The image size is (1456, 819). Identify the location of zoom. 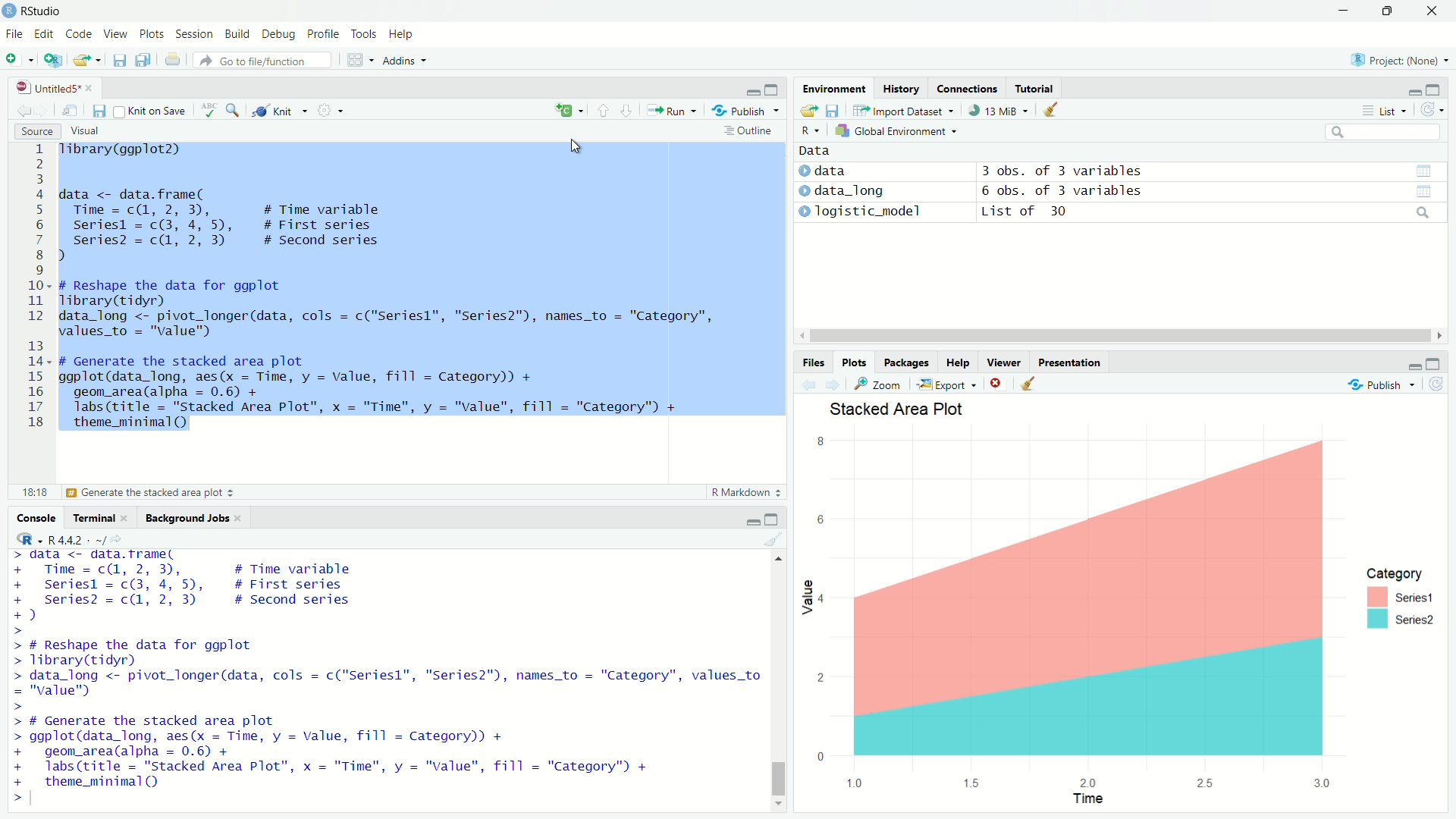
(236, 111).